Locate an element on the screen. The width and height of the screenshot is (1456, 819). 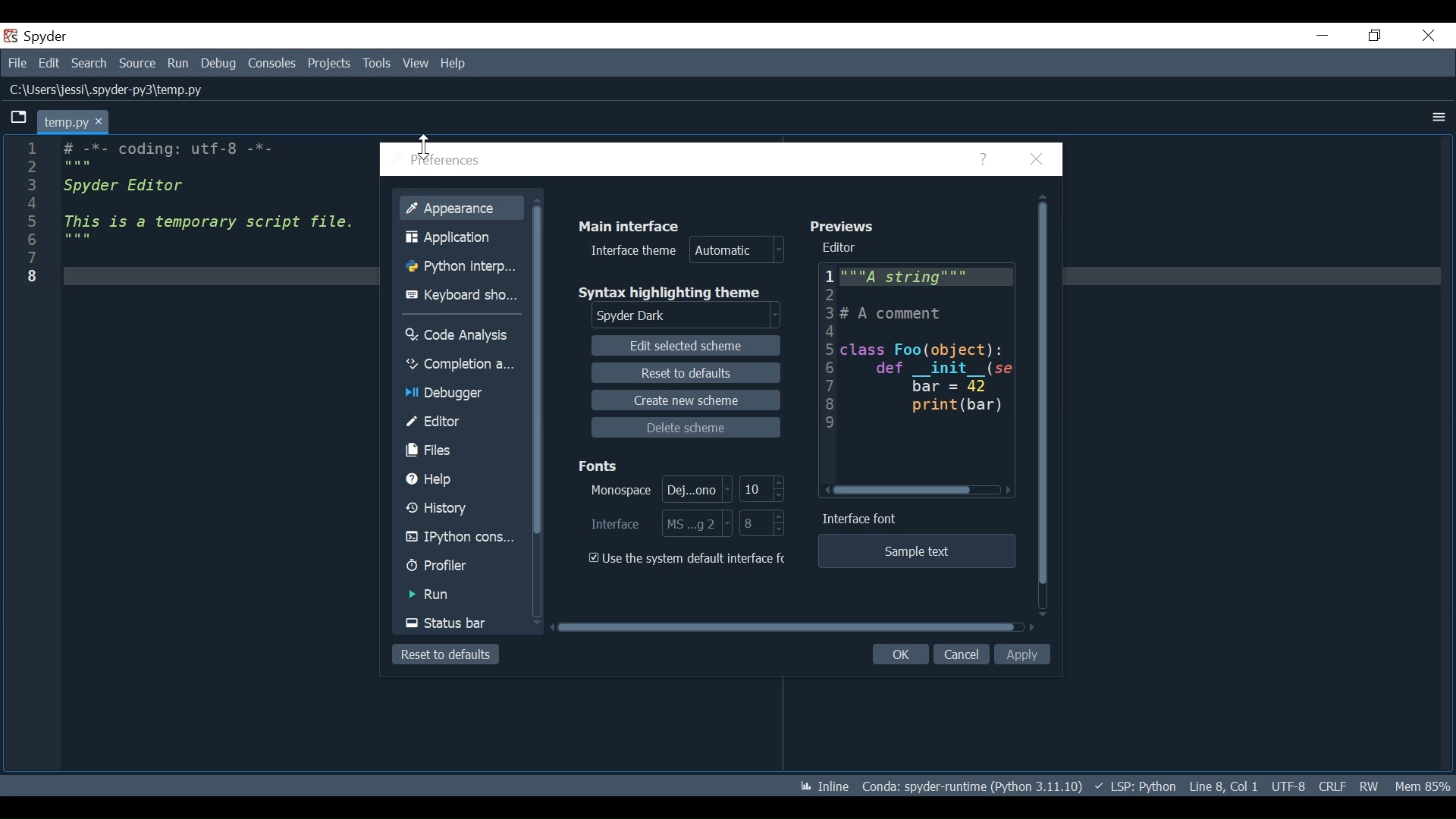
Projects is located at coordinates (328, 64).